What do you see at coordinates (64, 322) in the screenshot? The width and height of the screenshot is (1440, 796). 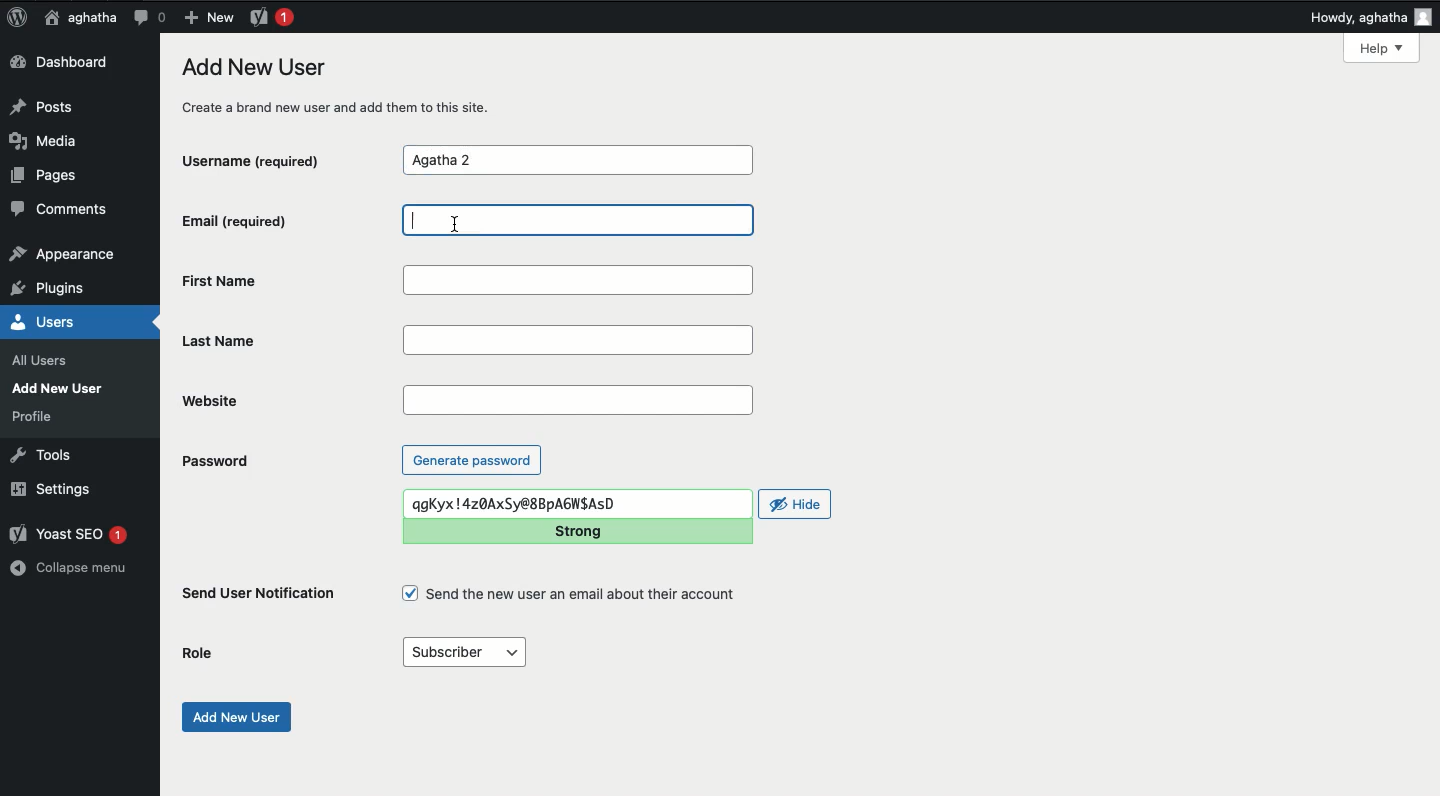 I see `Users` at bounding box center [64, 322].